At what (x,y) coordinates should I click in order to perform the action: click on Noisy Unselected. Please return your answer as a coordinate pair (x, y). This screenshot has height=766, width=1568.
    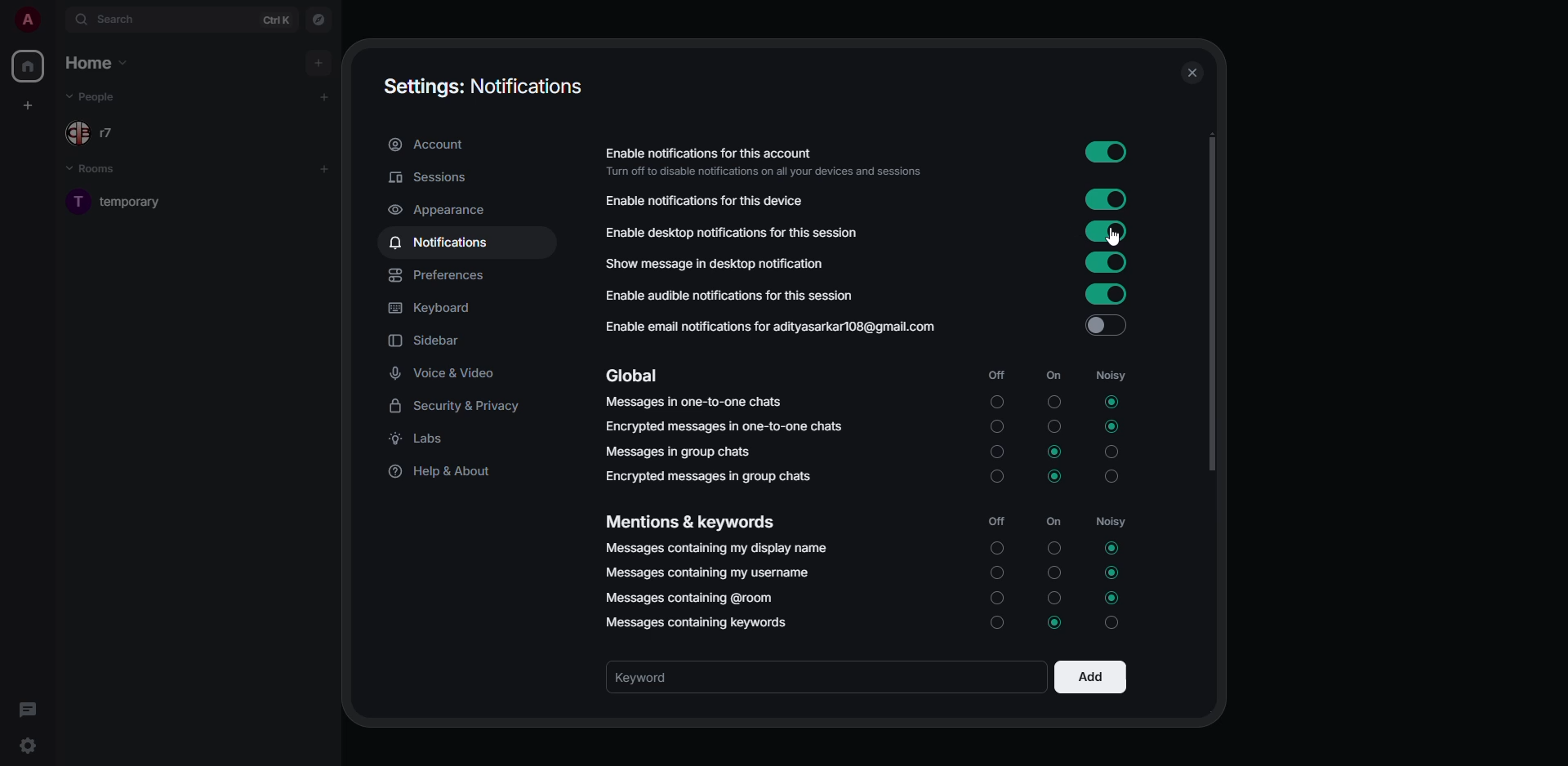
    Looking at the image, I should click on (1113, 476).